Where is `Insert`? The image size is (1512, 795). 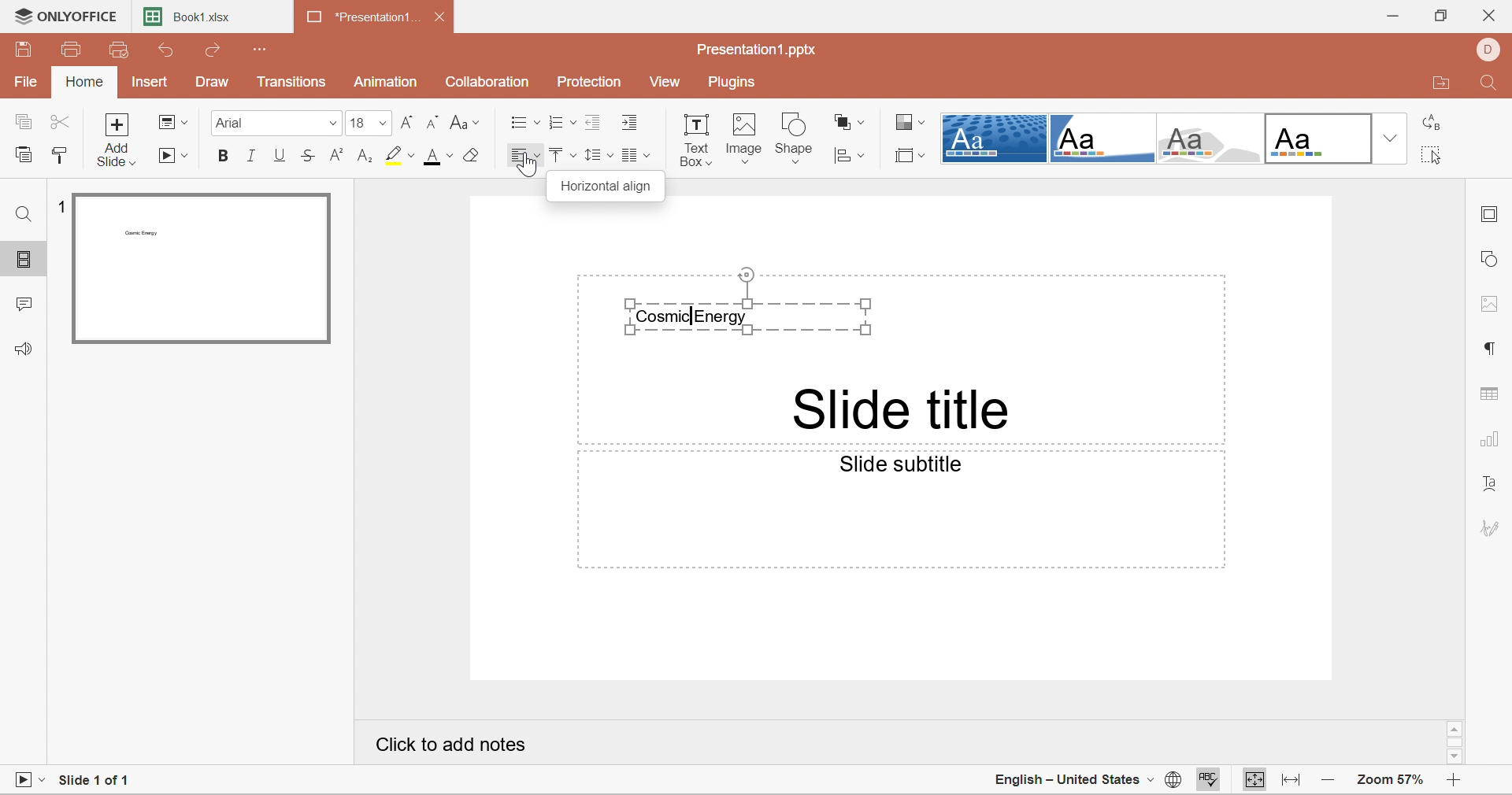 Insert is located at coordinates (148, 84).